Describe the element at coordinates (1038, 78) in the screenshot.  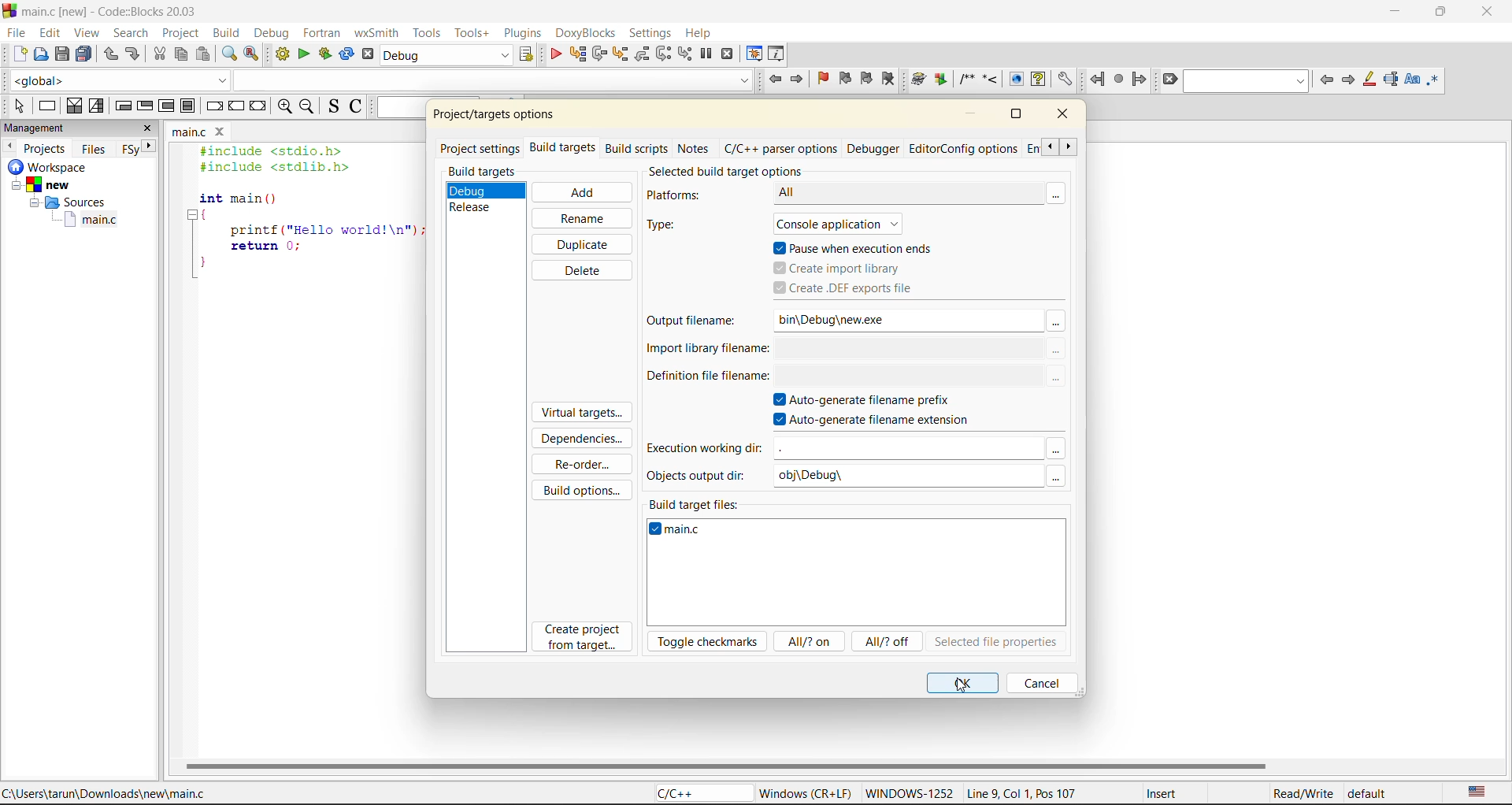
I see `View generated HTML Help documentation` at that location.